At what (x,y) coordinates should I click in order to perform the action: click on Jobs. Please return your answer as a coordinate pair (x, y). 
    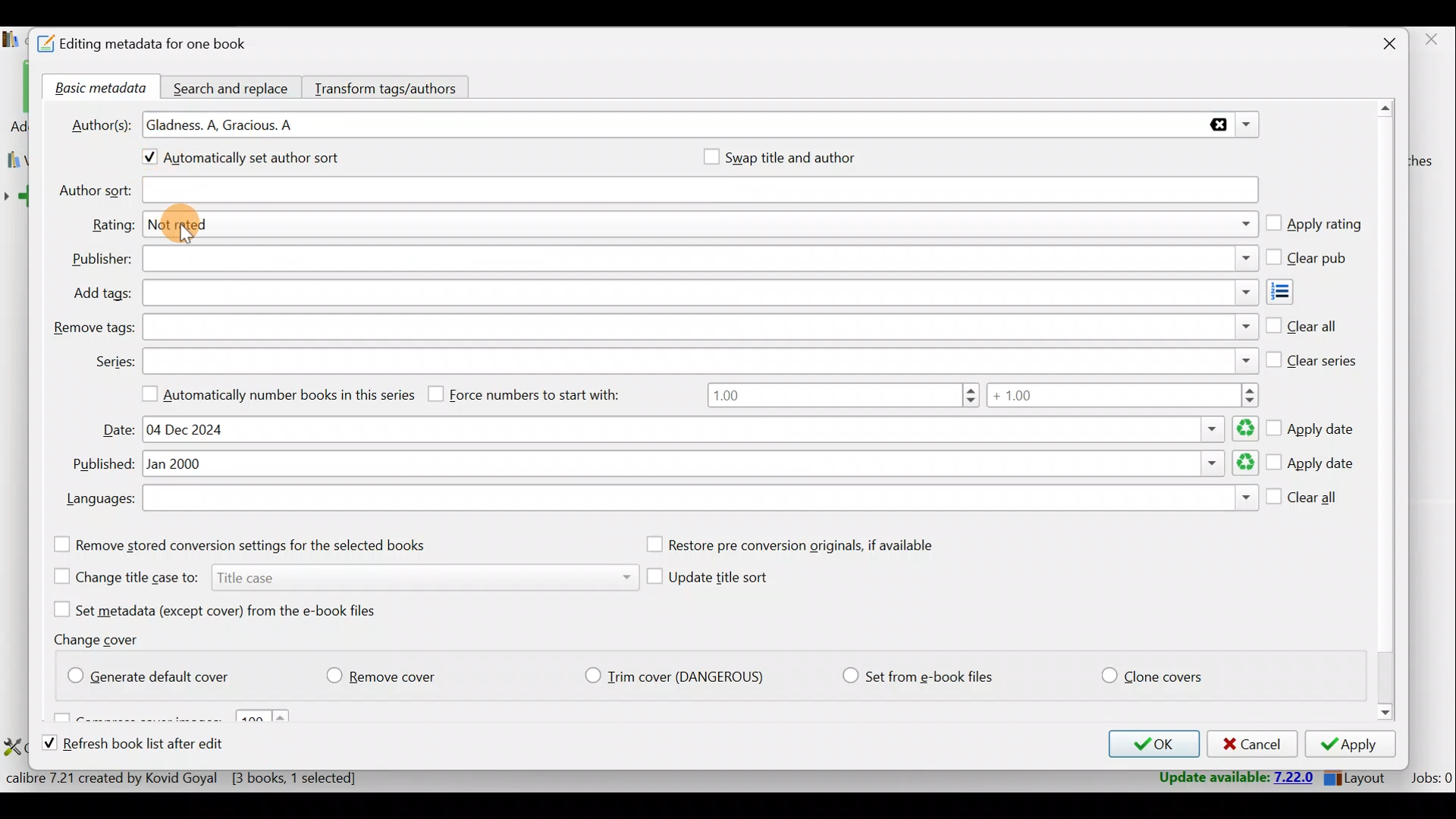
    Looking at the image, I should click on (1430, 777).